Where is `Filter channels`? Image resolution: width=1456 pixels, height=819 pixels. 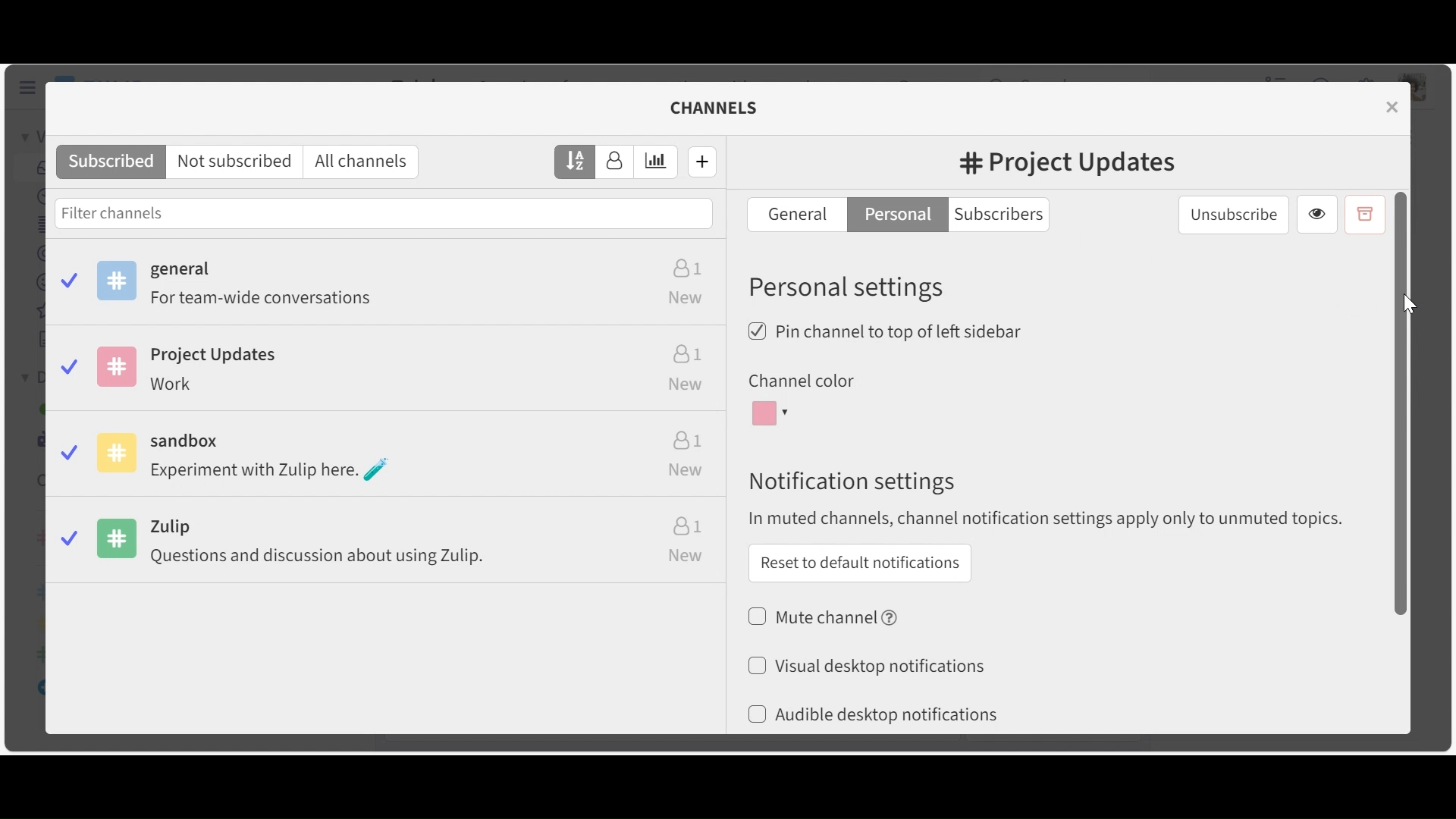 Filter channels is located at coordinates (384, 212).